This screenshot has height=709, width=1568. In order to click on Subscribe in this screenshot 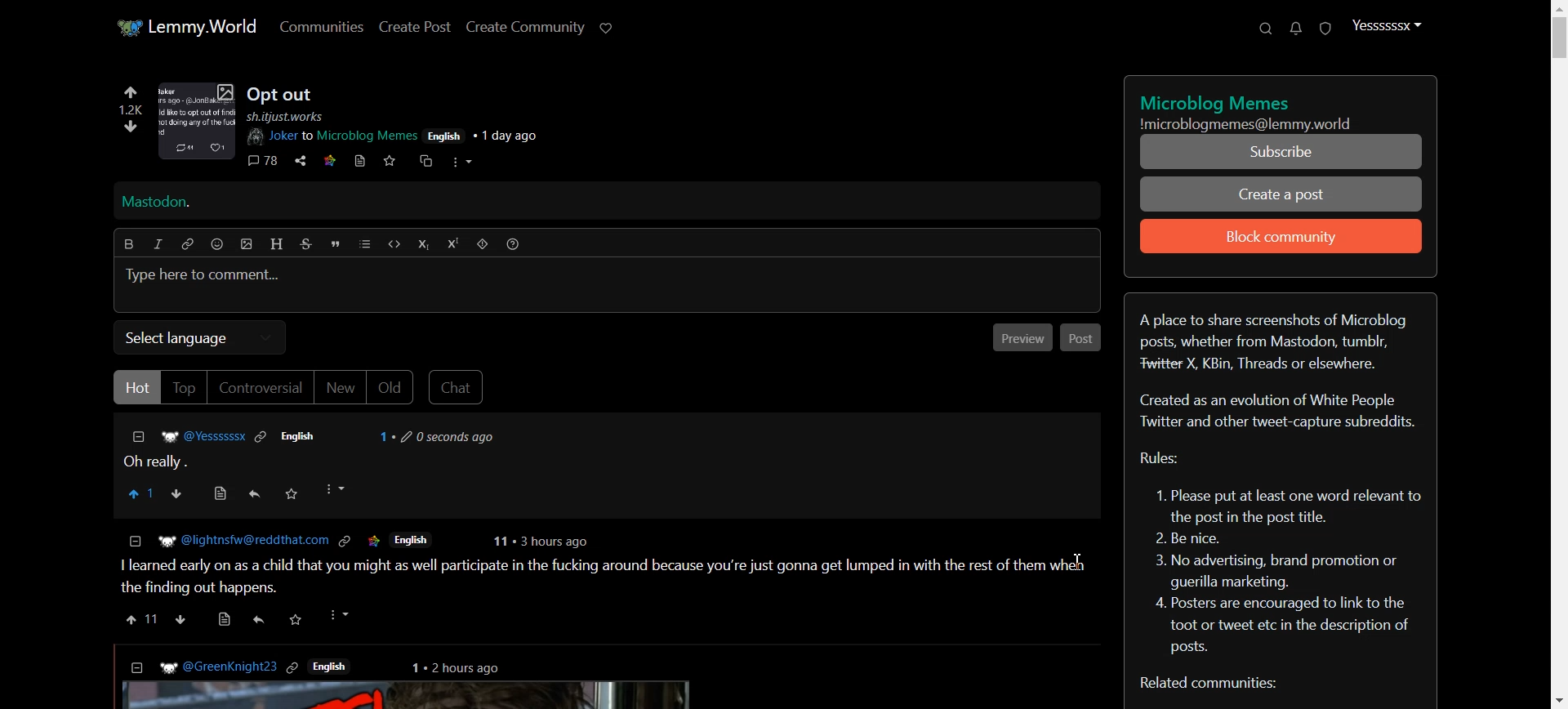, I will do `click(1279, 152)`.